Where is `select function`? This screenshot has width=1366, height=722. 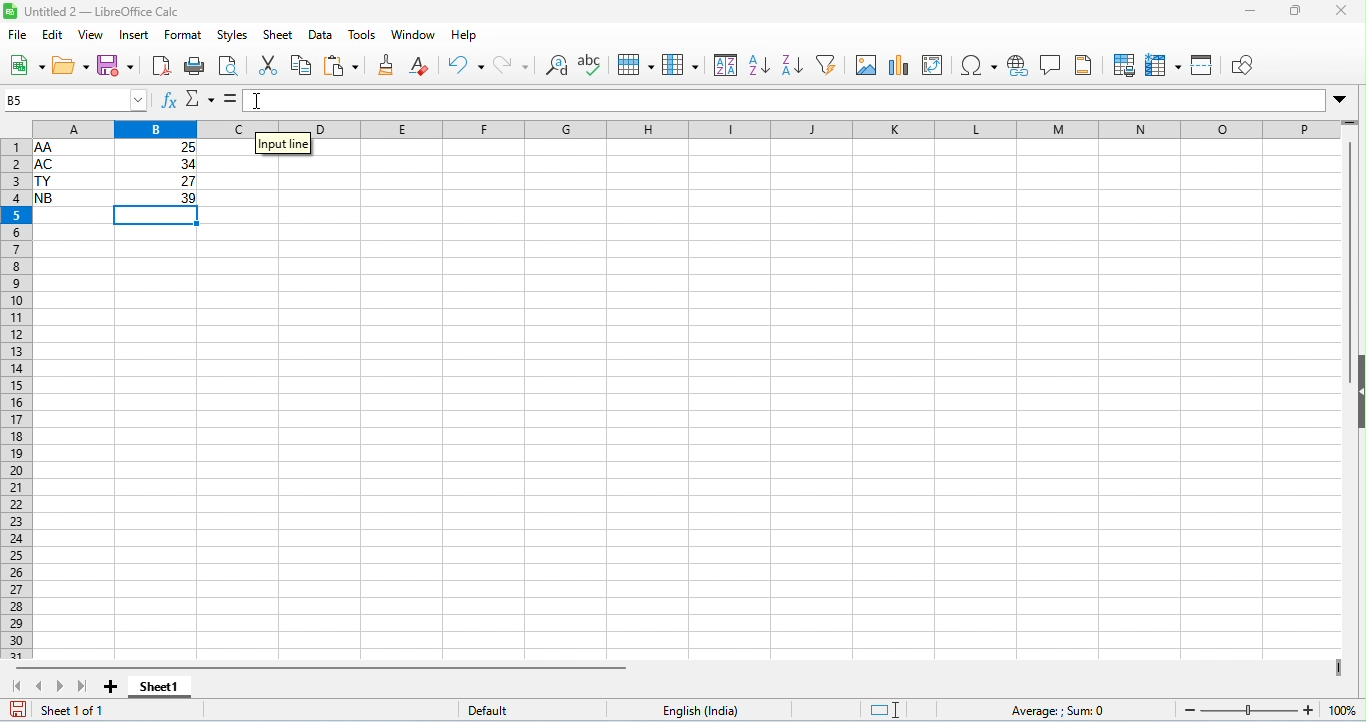
select function is located at coordinates (199, 99).